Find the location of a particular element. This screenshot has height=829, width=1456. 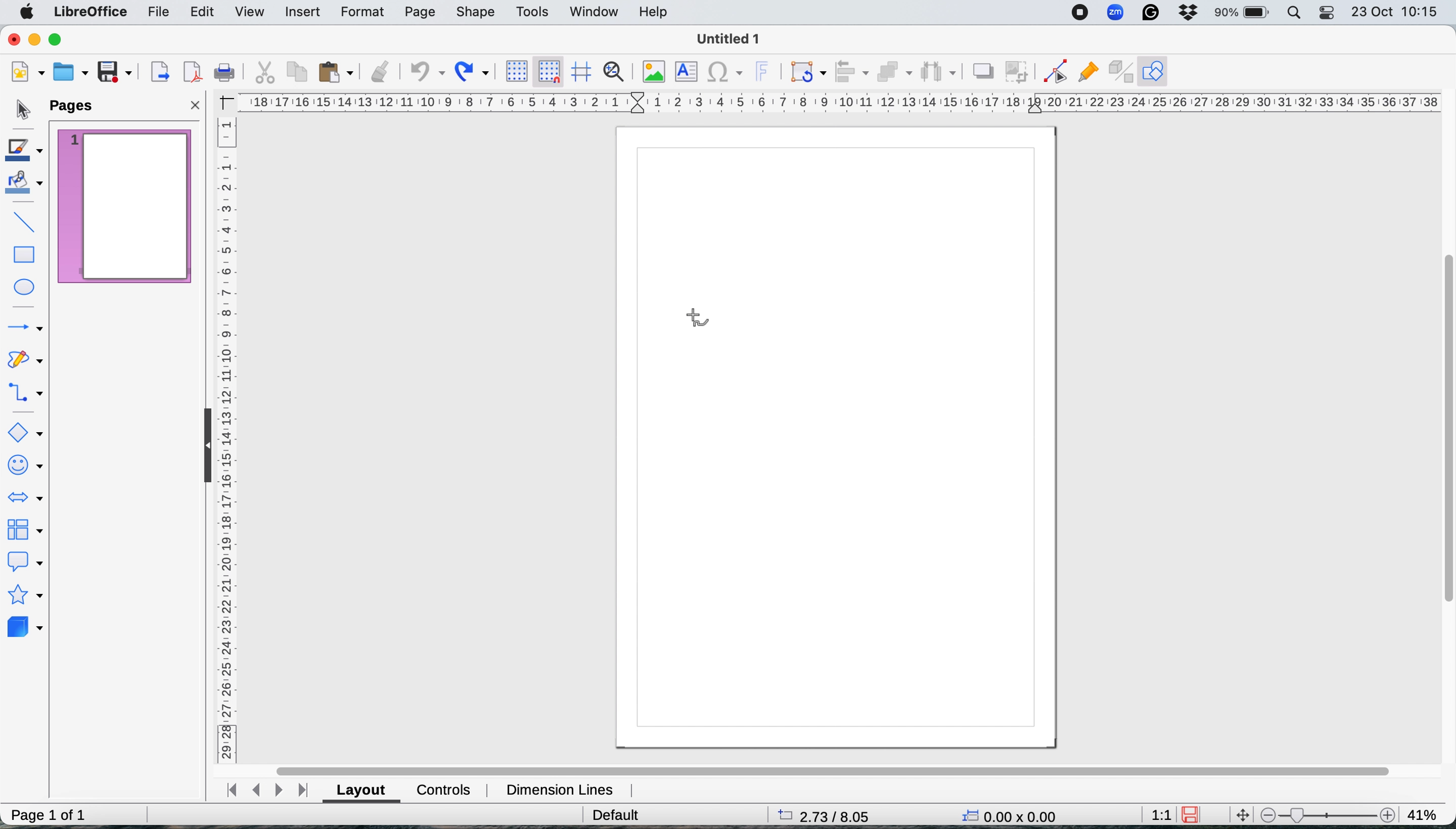

collapse is located at coordinates (202, 452).